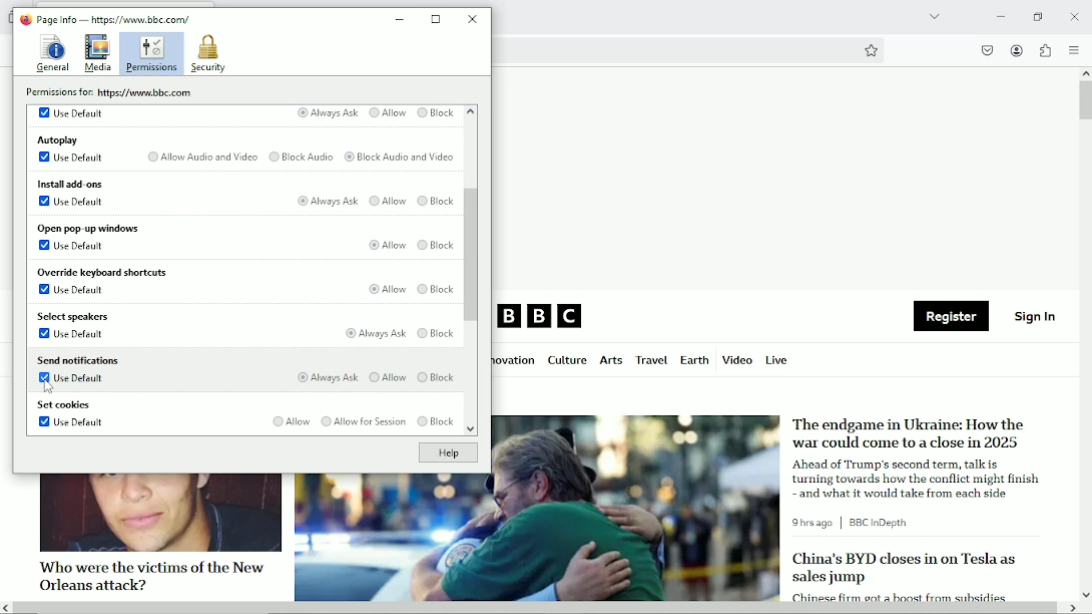 The height and width of the screenshot is (614, 1092). Describe the element at coordinates (899, 595) in the screenshot. I see `Chinese firm got a boost from subsides` at that location.